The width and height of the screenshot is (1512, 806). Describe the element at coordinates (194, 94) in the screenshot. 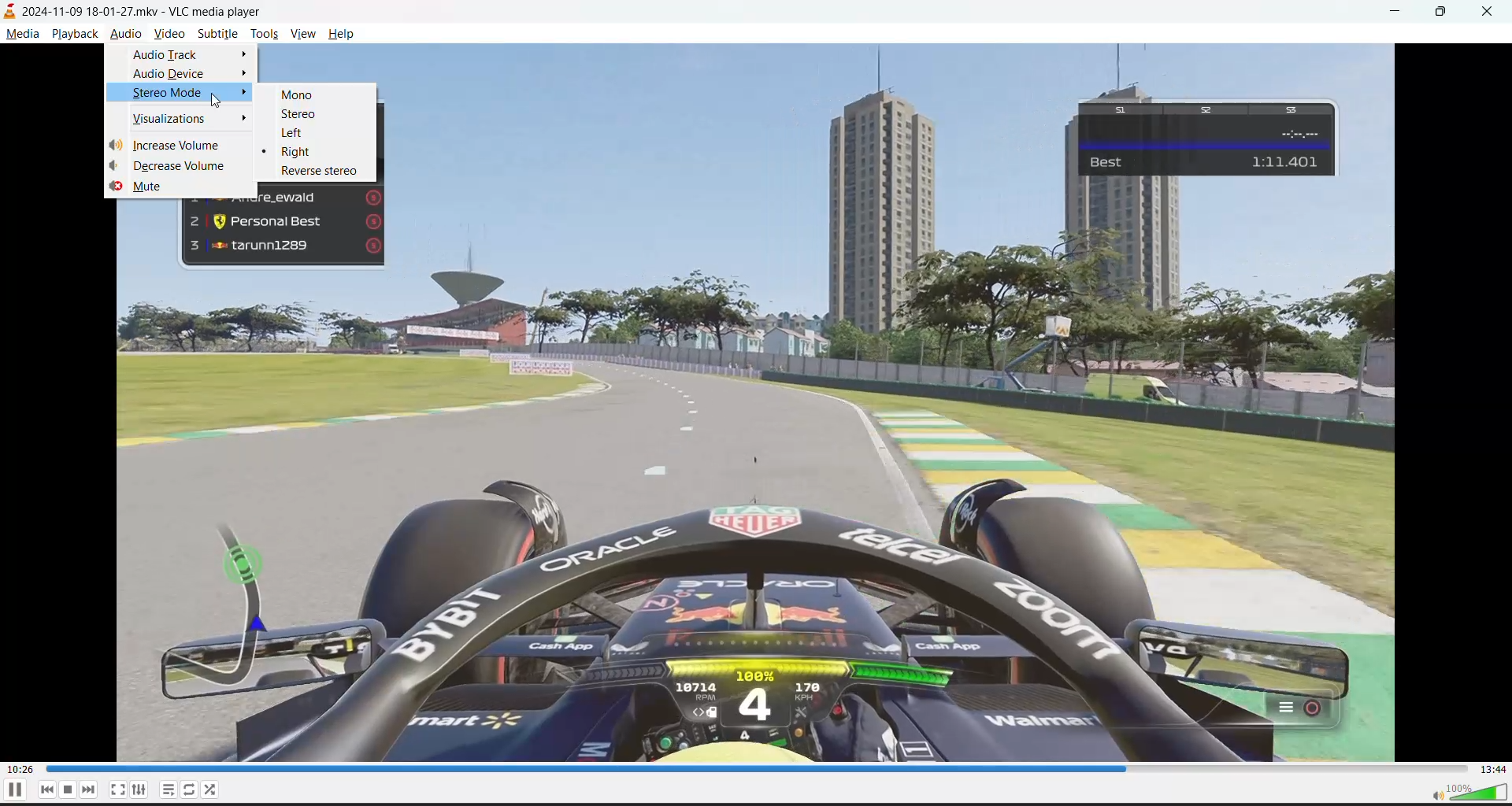

I see `stereo mode` at that location.